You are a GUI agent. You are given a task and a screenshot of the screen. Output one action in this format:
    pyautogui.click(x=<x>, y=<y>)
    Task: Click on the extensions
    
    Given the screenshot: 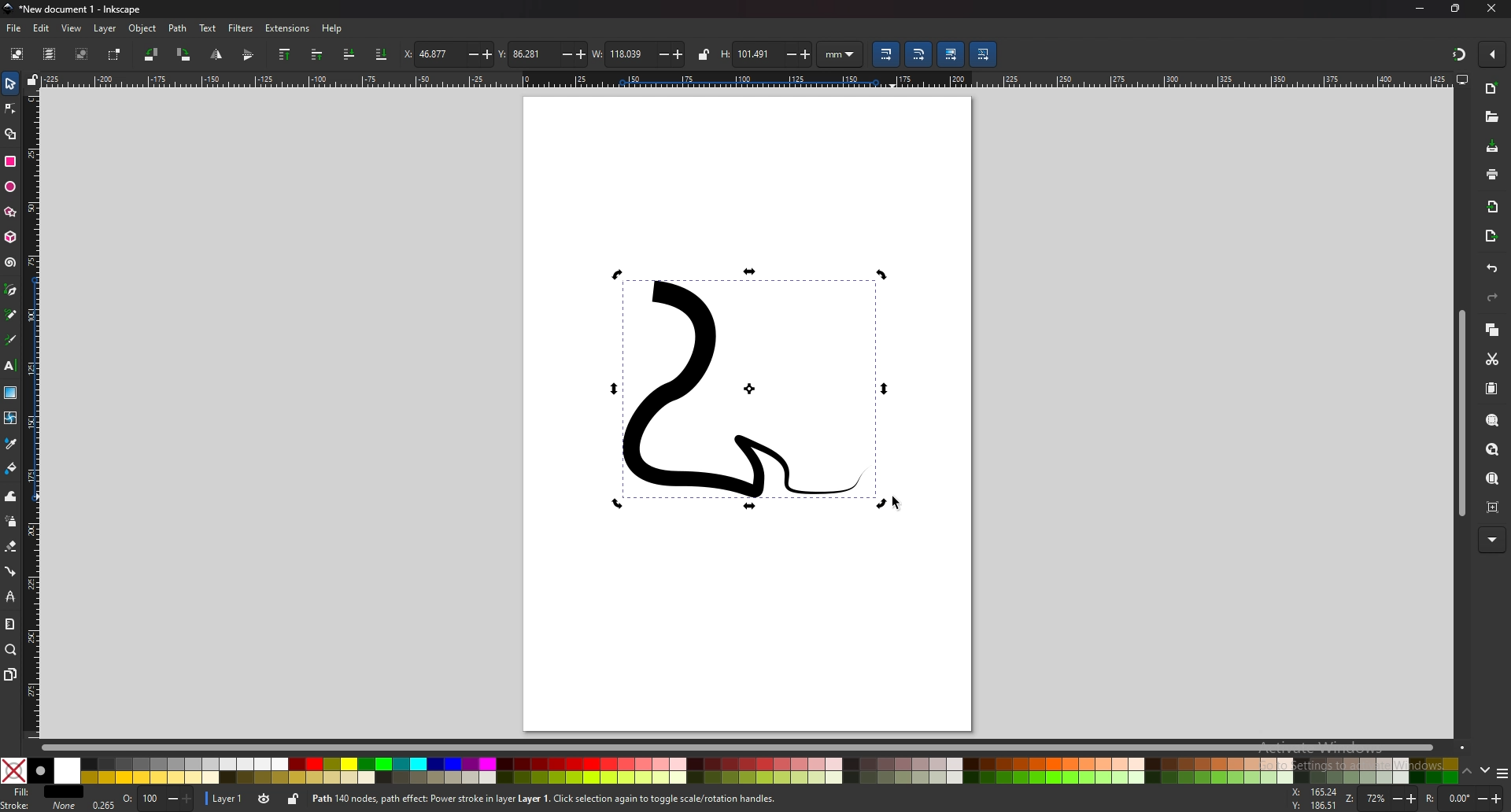 What is the action you would take?
    pyautogui.click(x=286, y=28)
    